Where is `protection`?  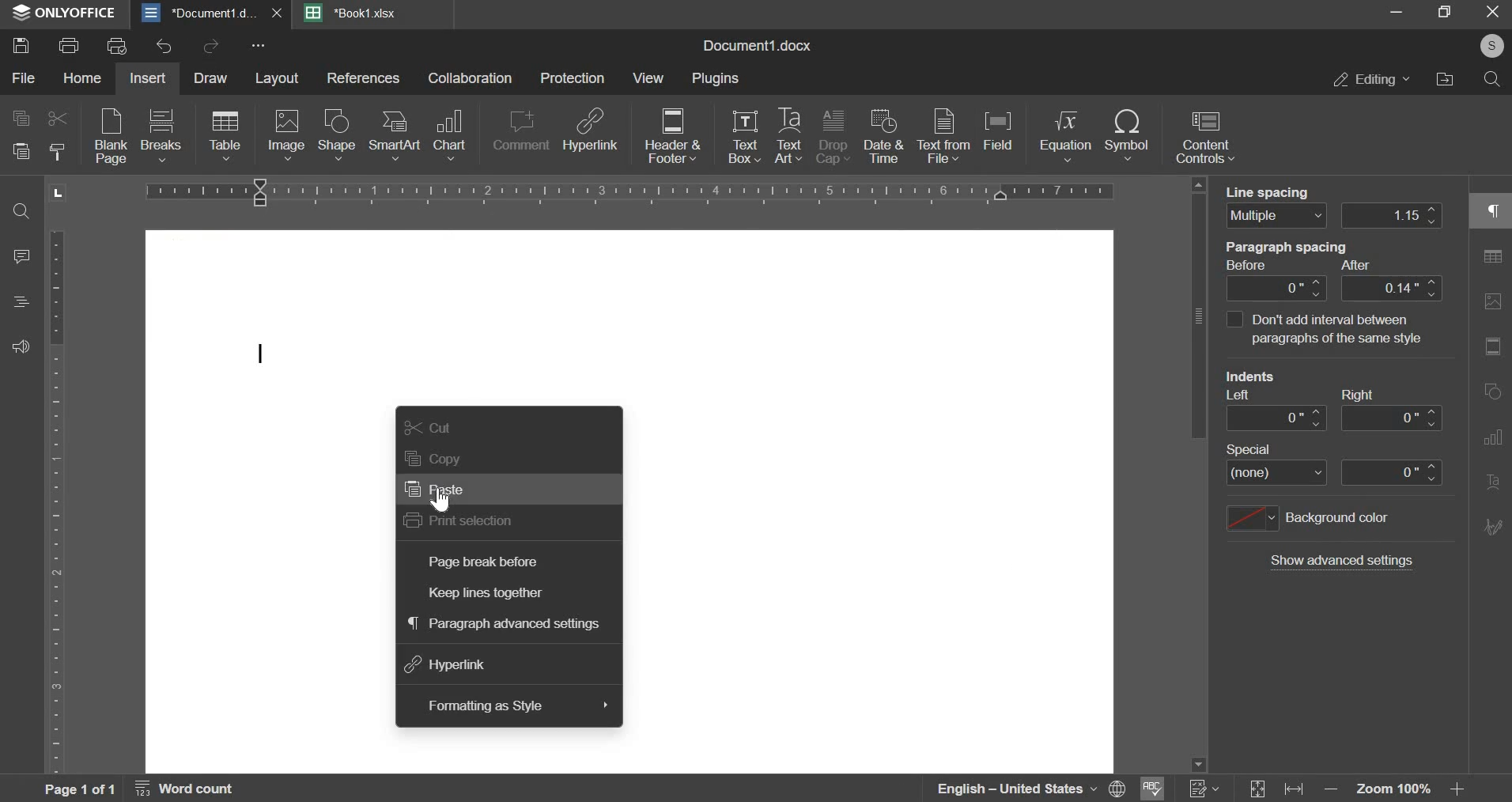 protection is located at coordinates (573, 78).